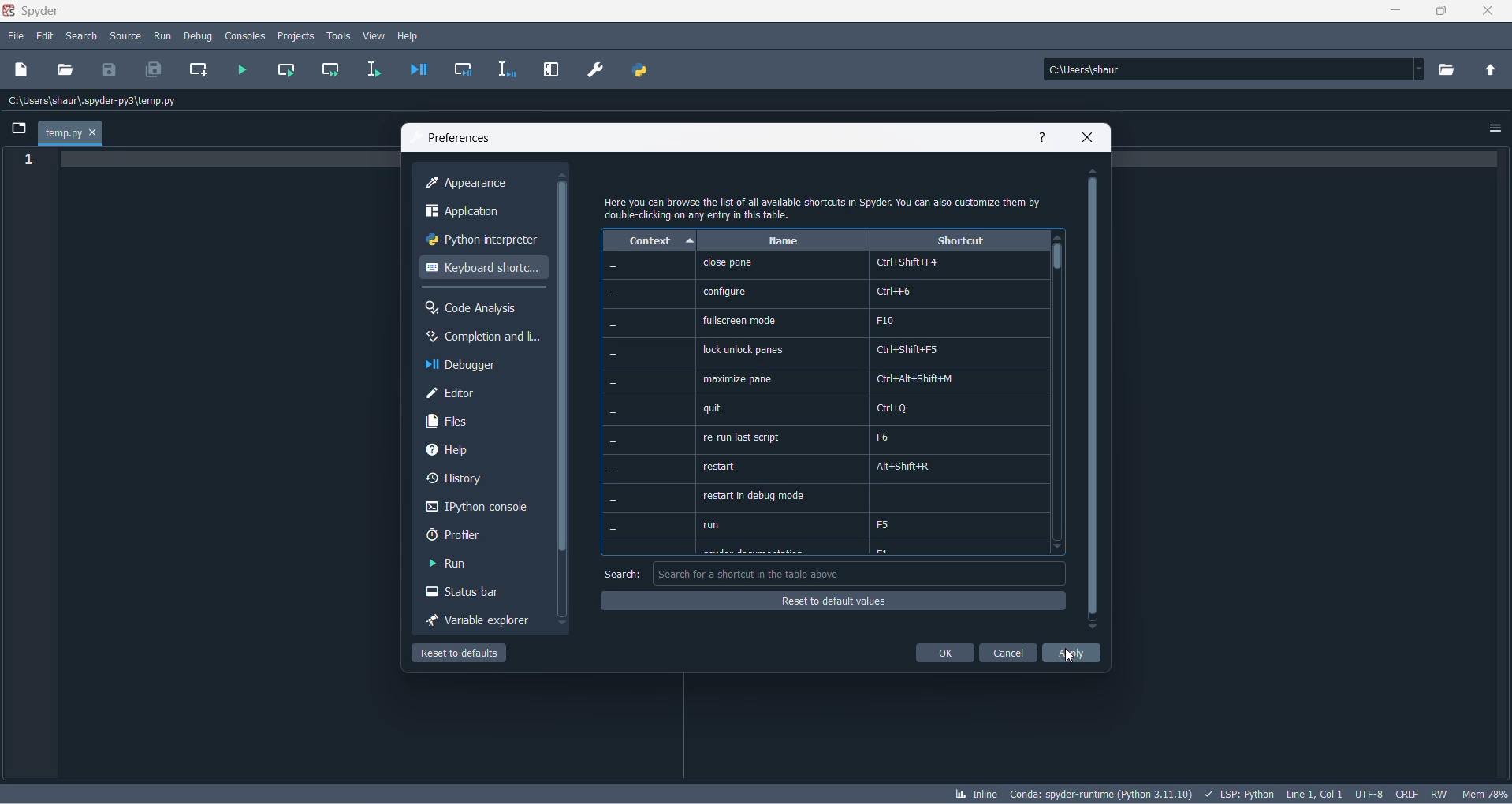  I want to click on configure, so click(724, 291).